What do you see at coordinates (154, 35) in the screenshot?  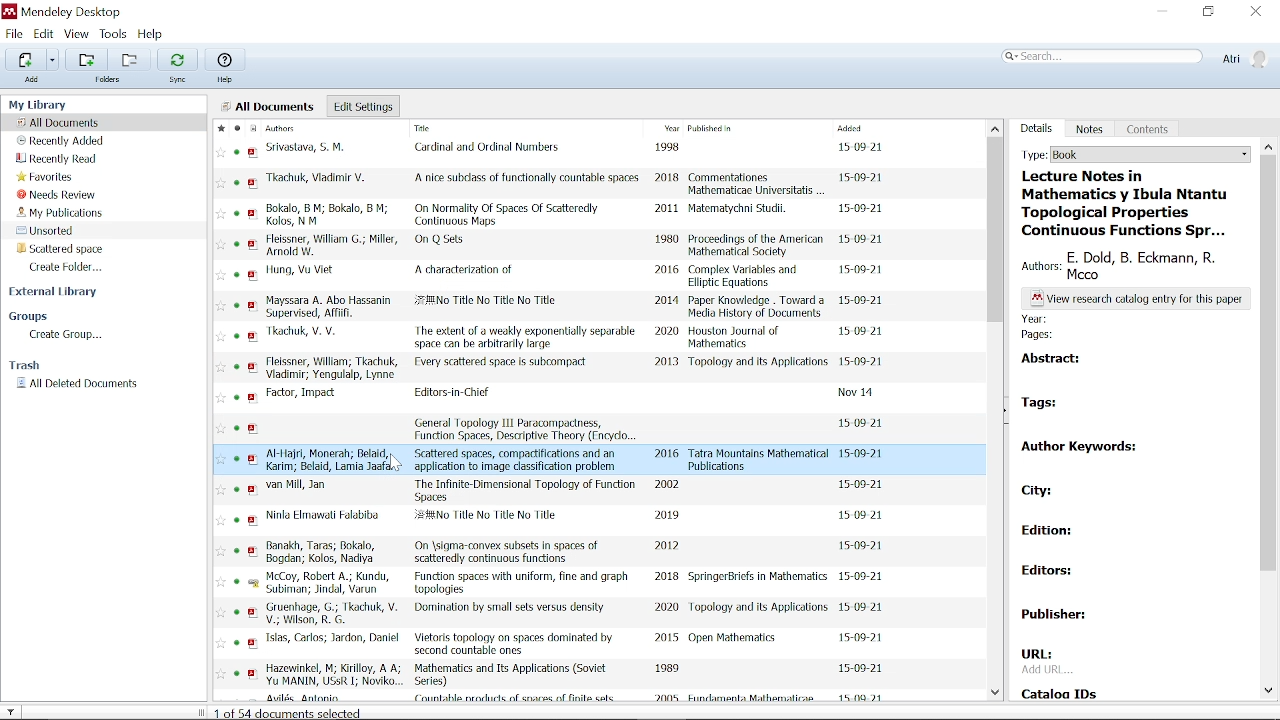 I see `Help` at bounding box center [154, 35].